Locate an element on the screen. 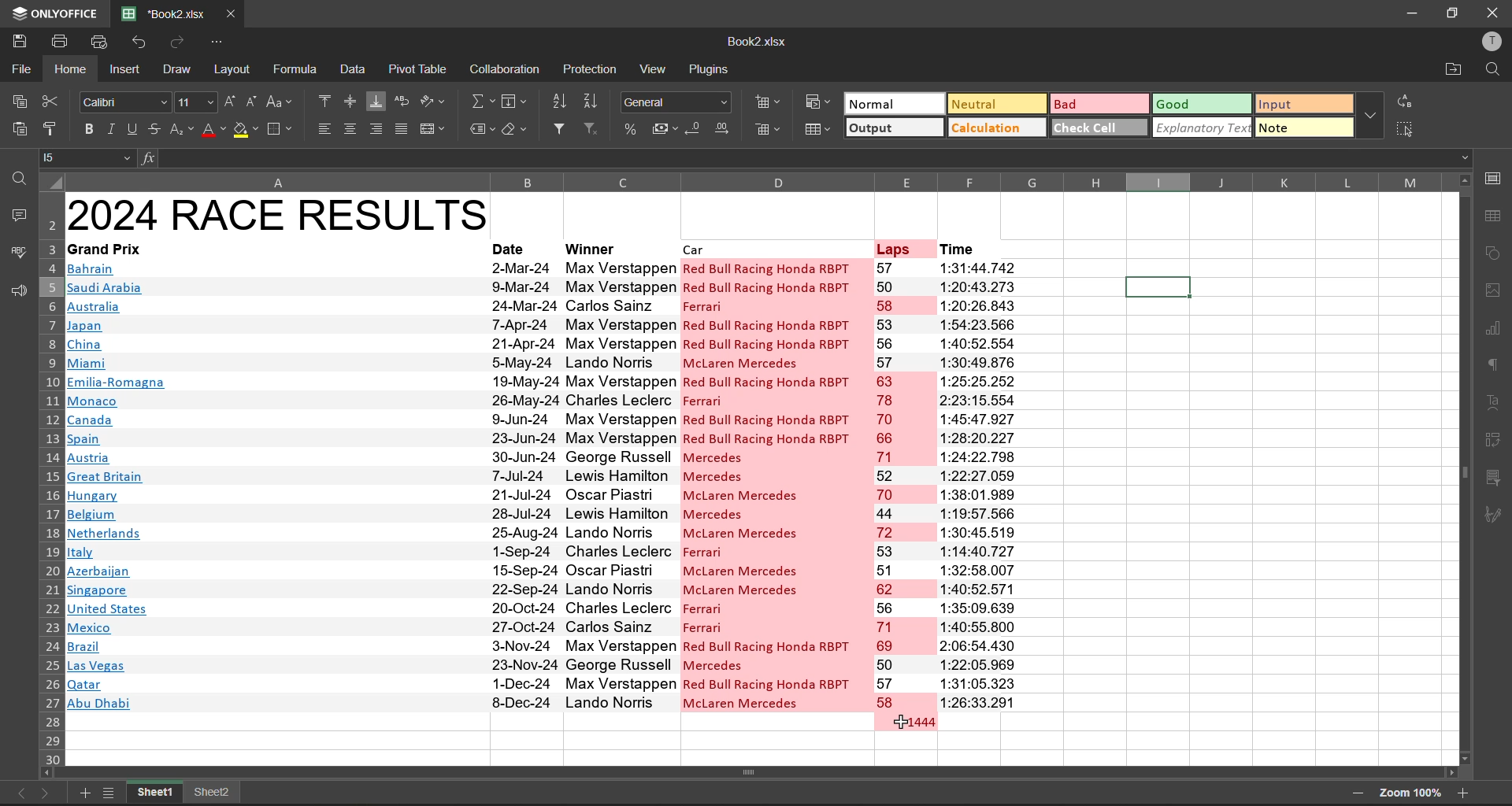  date is located at coordinates (523, 484).